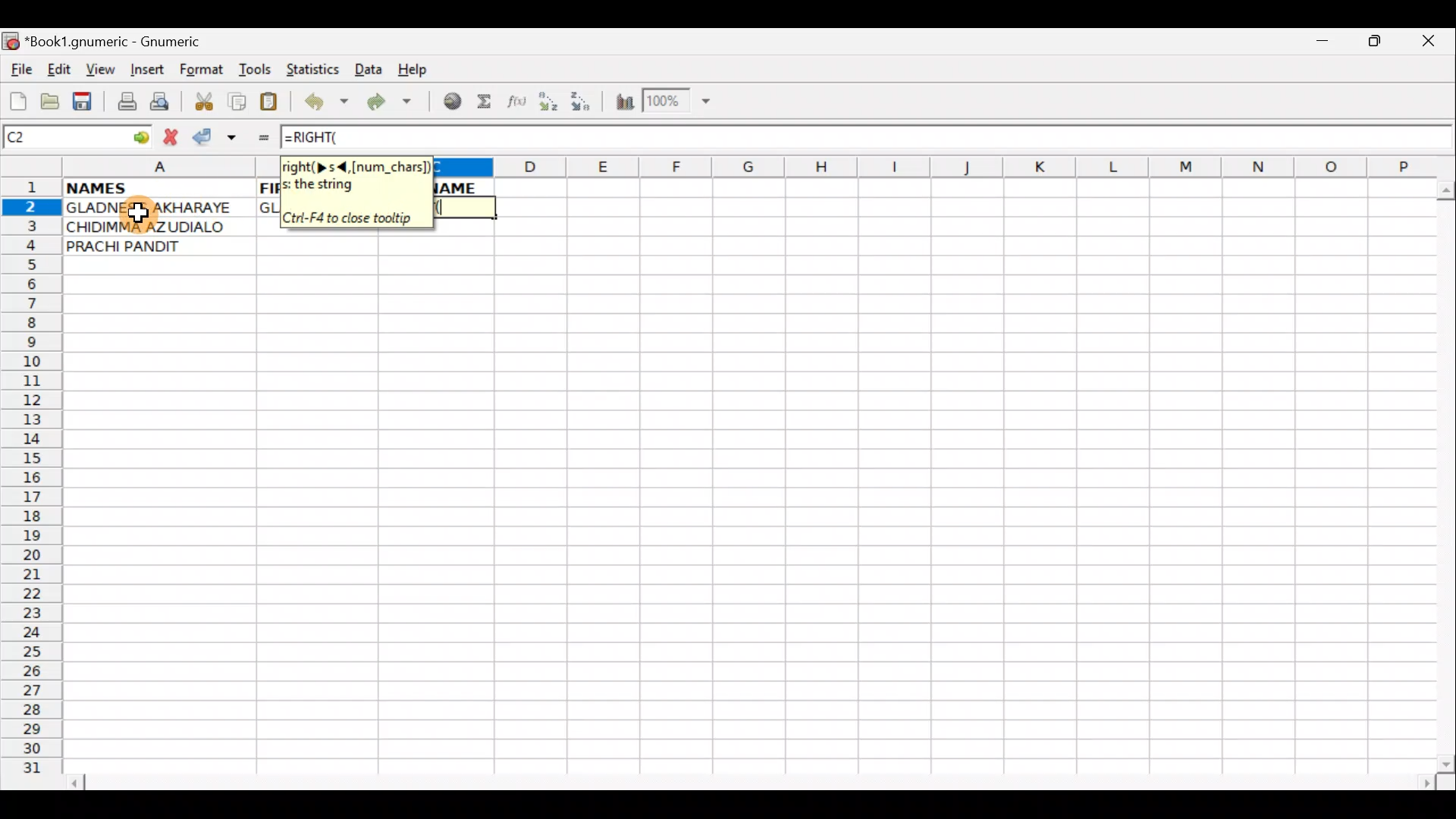  Describe the element at coordinates (1432, 45) in the screenshot. I see `Close` at that location.